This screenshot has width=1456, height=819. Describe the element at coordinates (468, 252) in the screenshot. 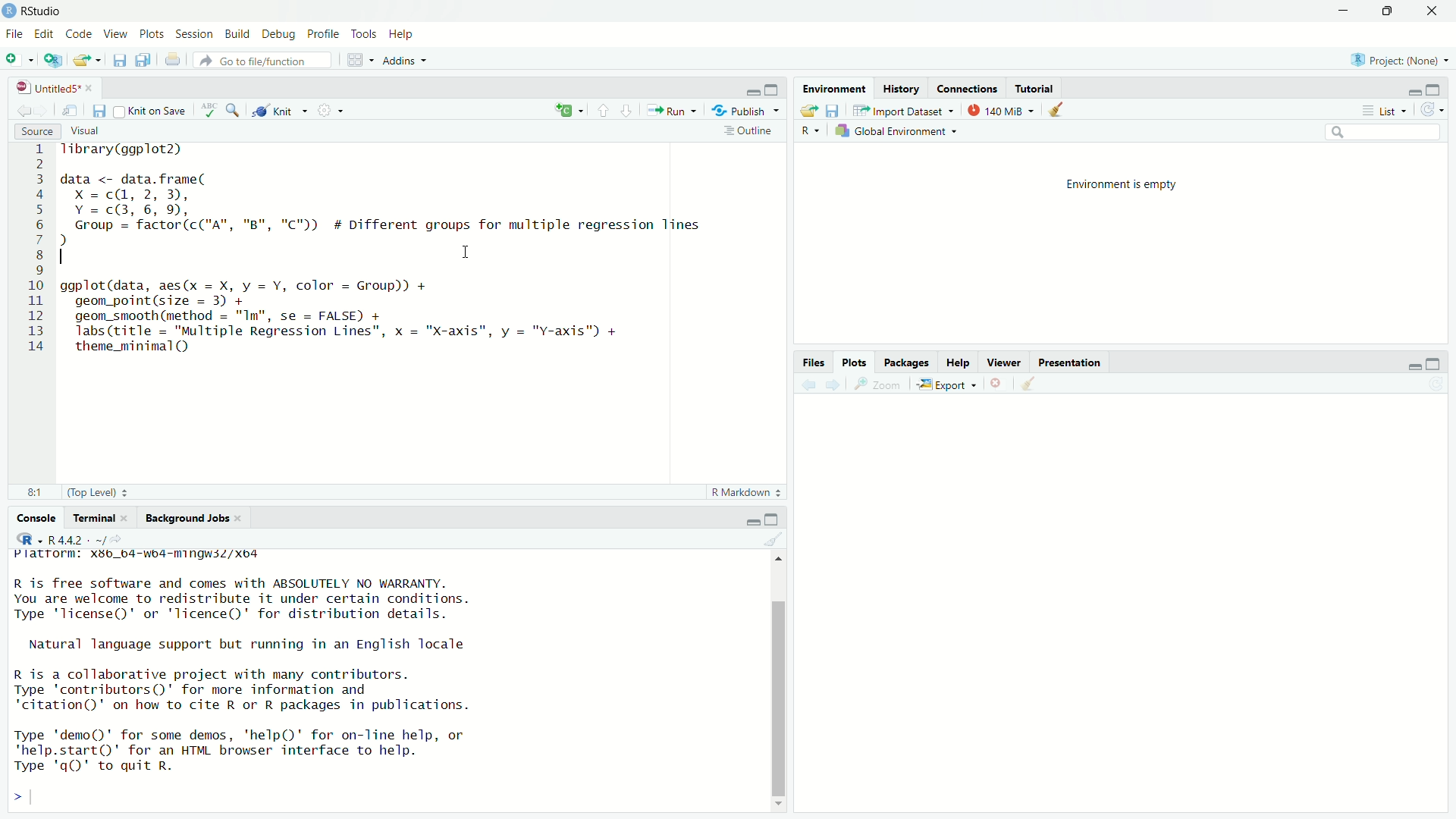

I see `cursor` at that location.